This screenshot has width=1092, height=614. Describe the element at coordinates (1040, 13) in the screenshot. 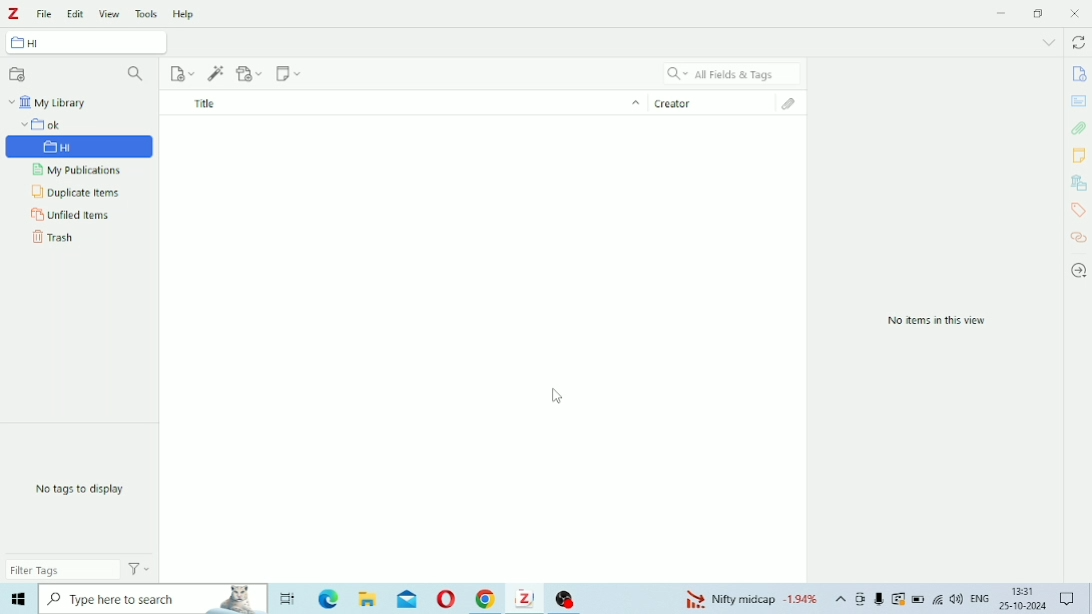

I see `Restore down` at that location.